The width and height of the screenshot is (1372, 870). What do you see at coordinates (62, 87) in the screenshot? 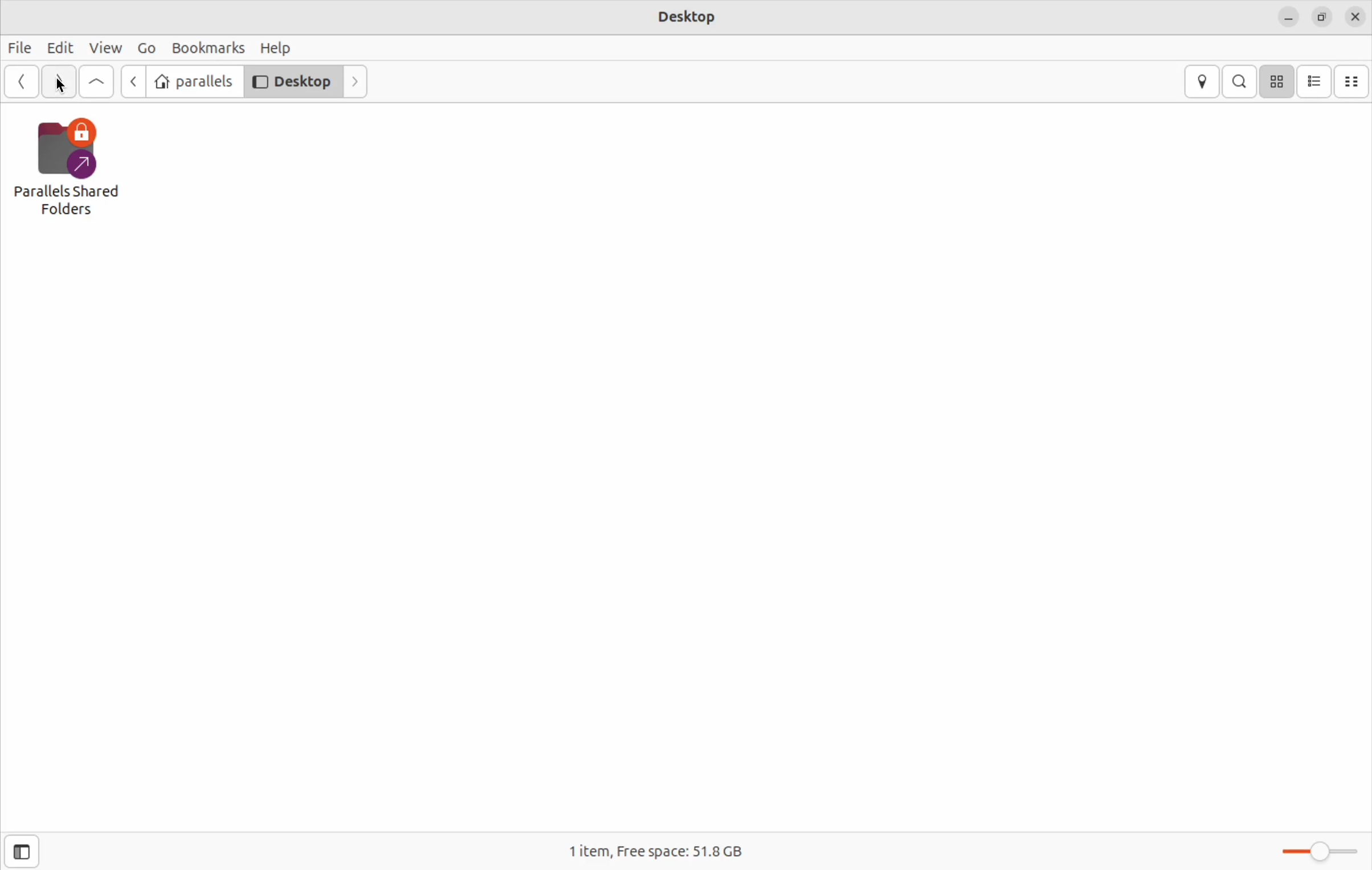
I see `cursor` at bounding box center [62, 87].